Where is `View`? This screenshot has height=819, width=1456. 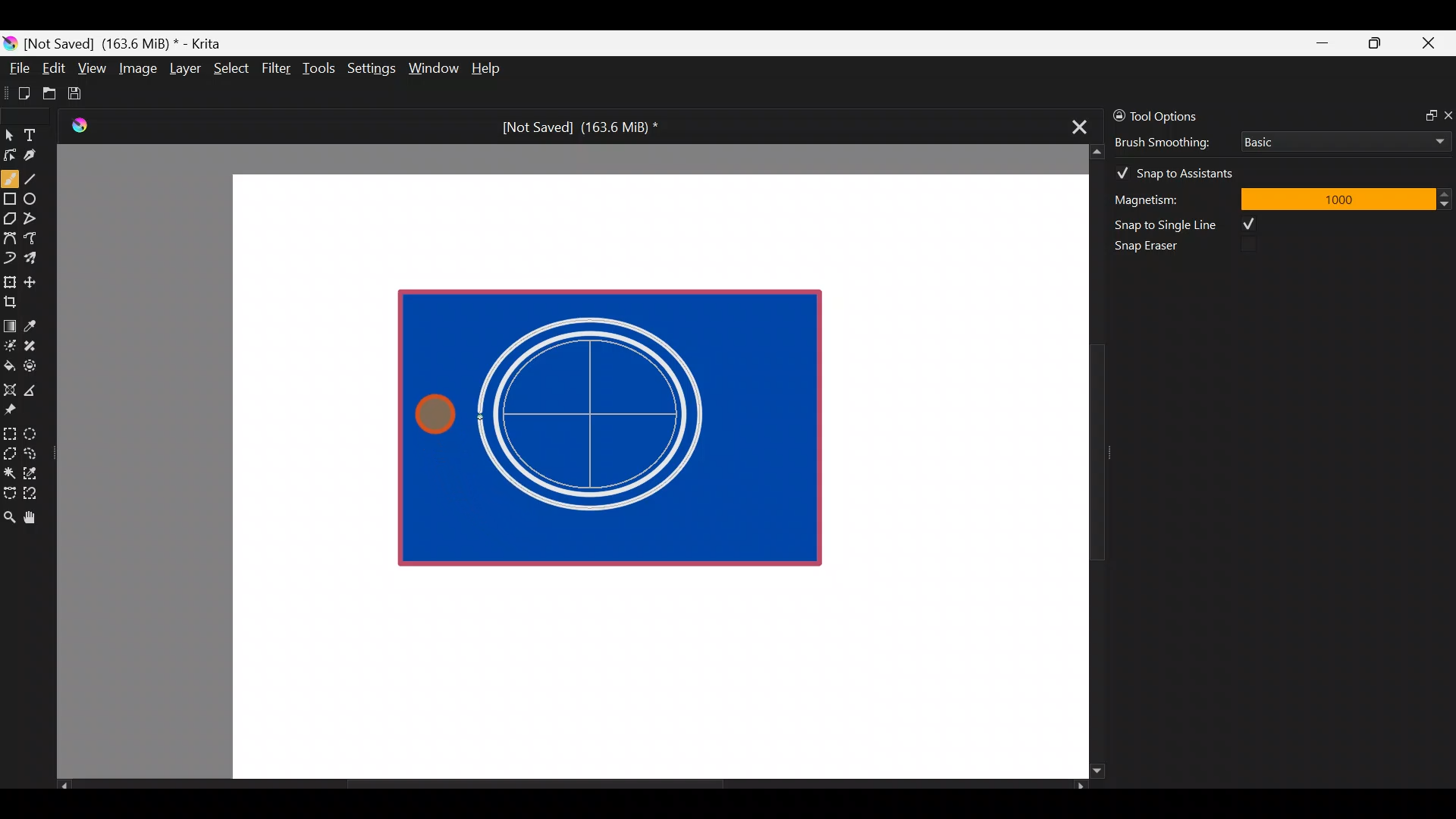
View is located at coordinates (93, 68).